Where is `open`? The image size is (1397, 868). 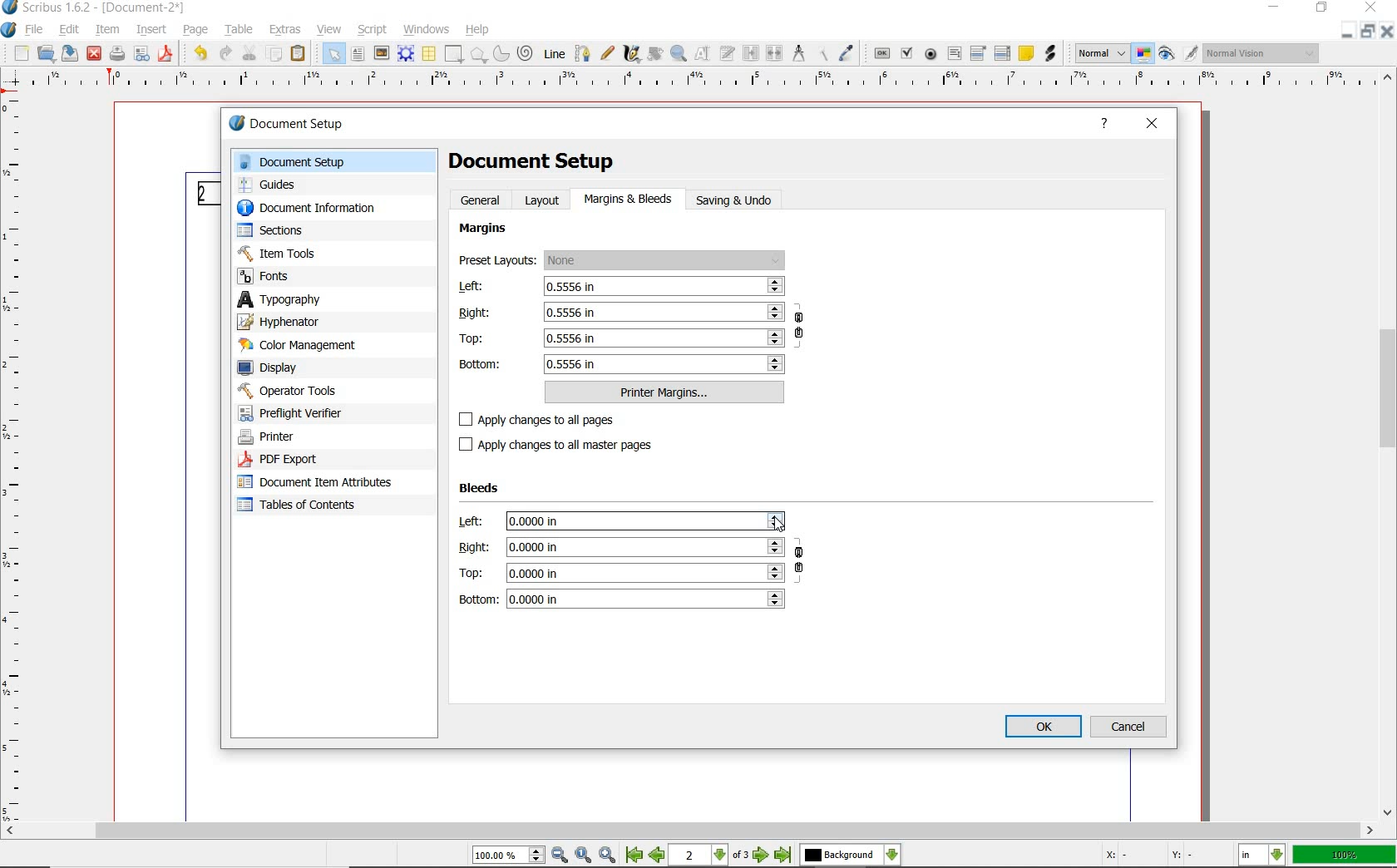 open is located at coordinates (47, 55).